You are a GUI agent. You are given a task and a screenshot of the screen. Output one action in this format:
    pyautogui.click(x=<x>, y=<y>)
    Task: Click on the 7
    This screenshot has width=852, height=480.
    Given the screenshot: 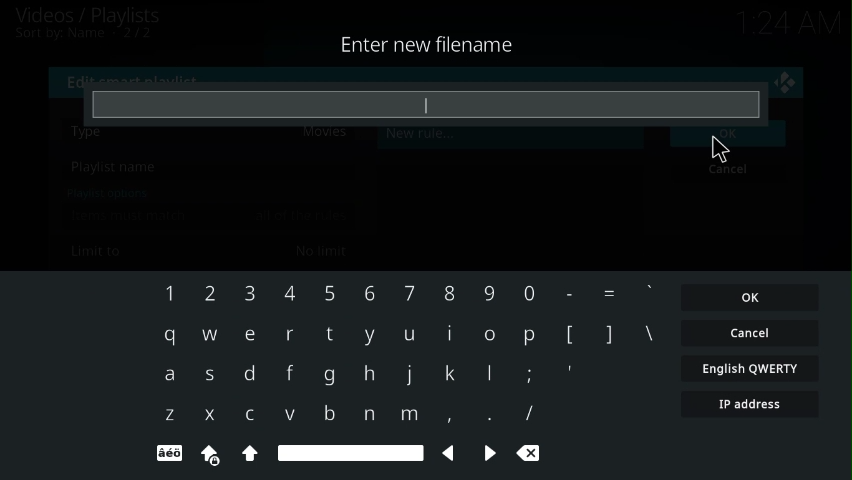 What is the action you would take?
    pyautogui.click(x=408, y=293)
    